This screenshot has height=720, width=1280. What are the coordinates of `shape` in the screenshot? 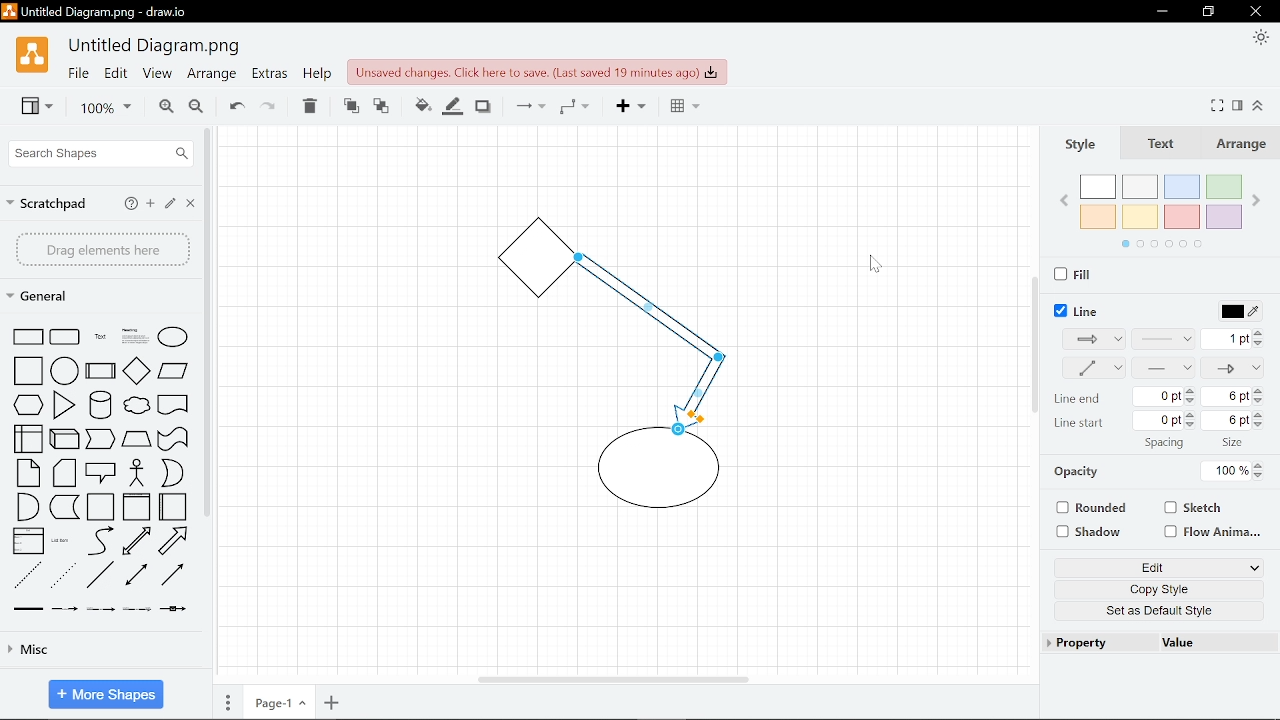 It's located at (174, 507).